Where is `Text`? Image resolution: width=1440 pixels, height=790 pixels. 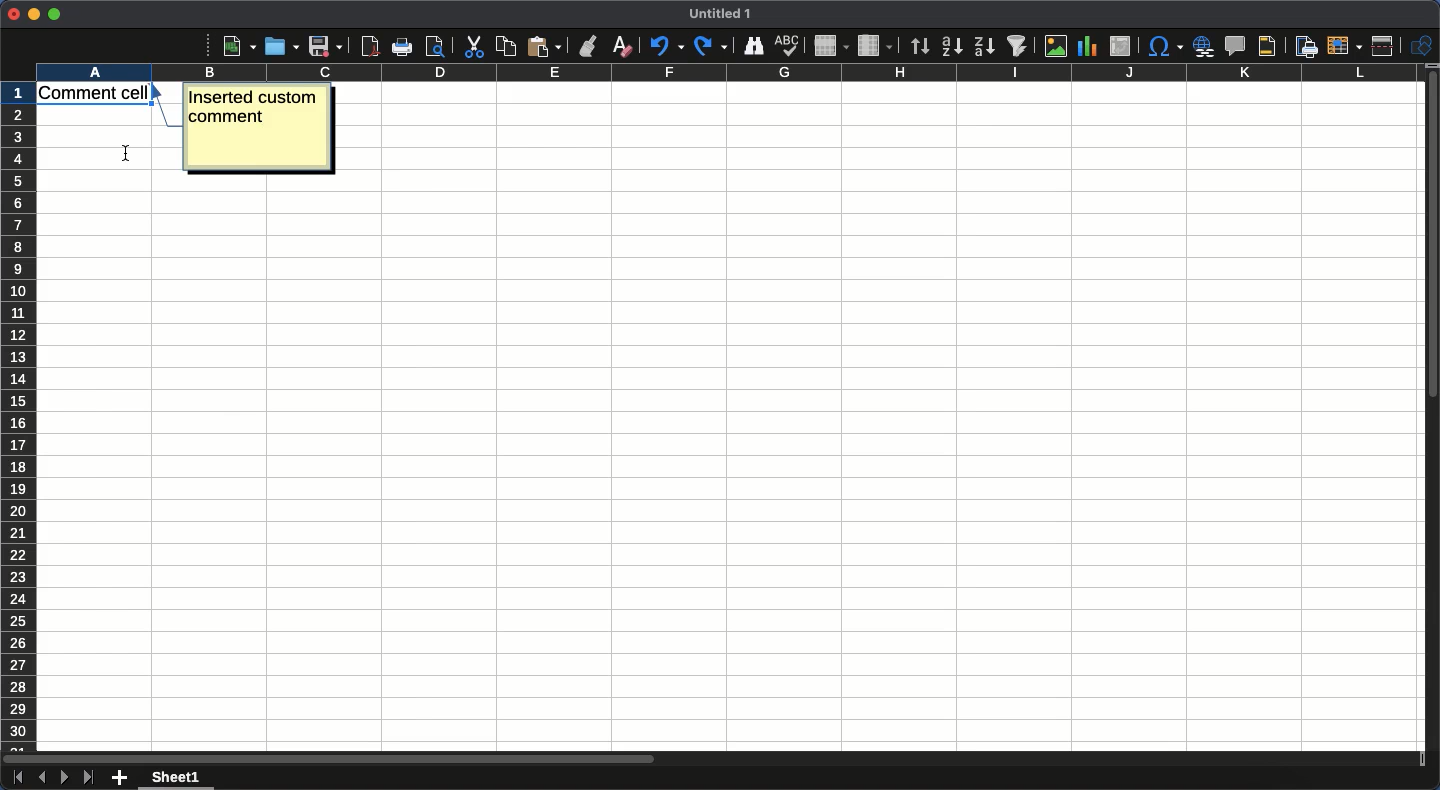 Text is located at coordinates (256, 106).